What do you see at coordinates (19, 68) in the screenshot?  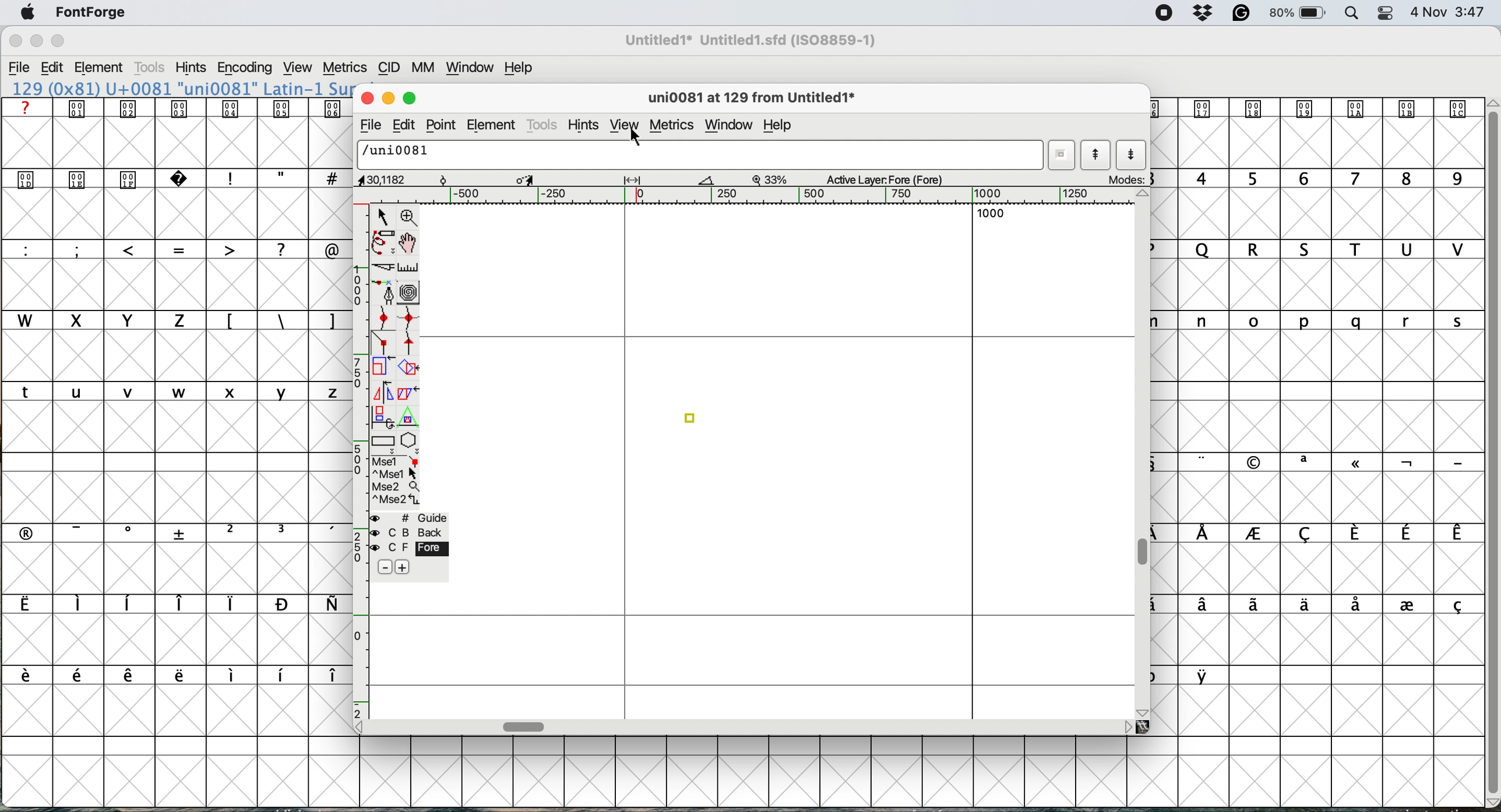 I see `File` at bounding box center [19, 68].